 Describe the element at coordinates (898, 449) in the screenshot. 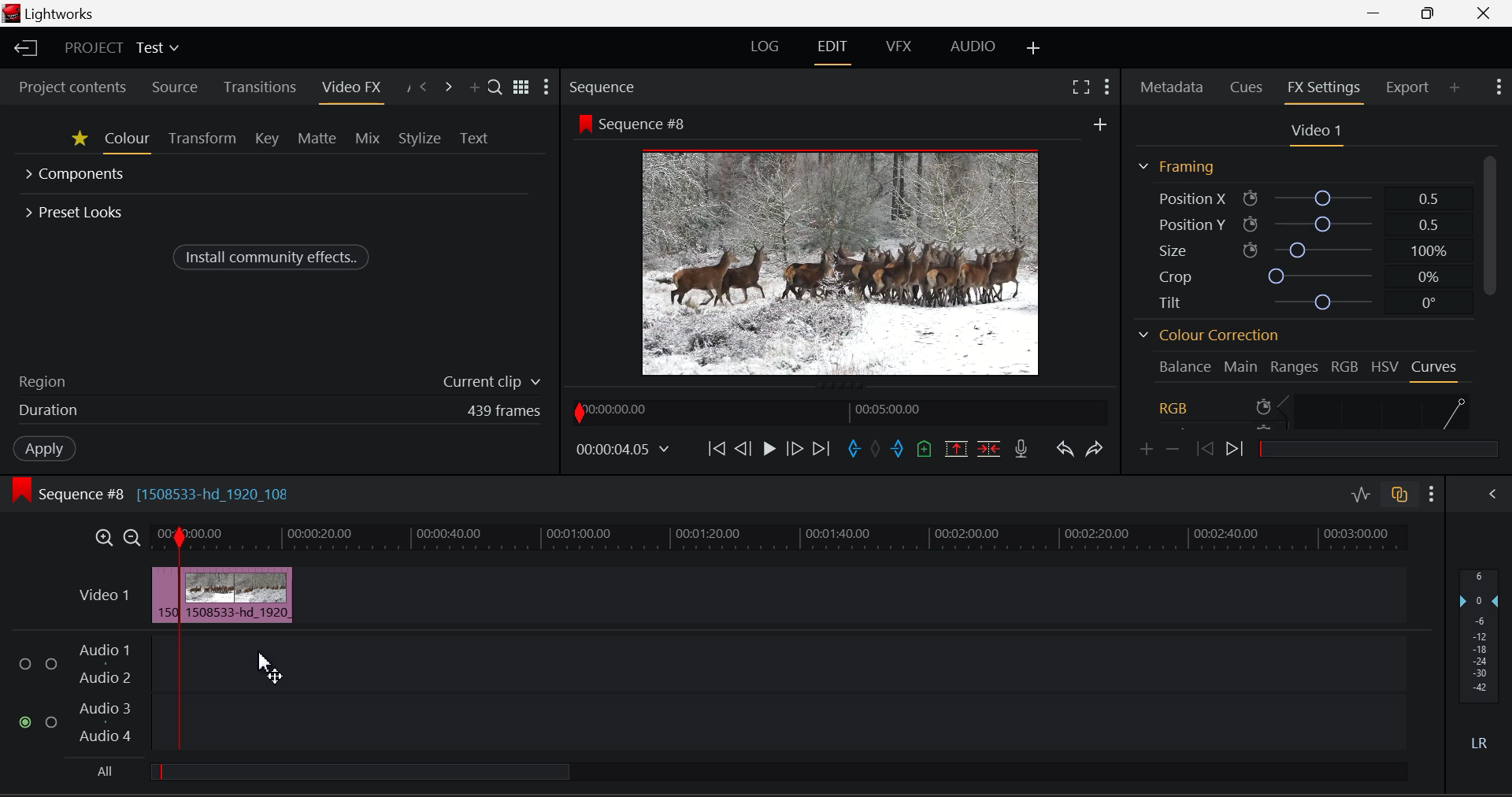

I see `Mark Out` at that location.